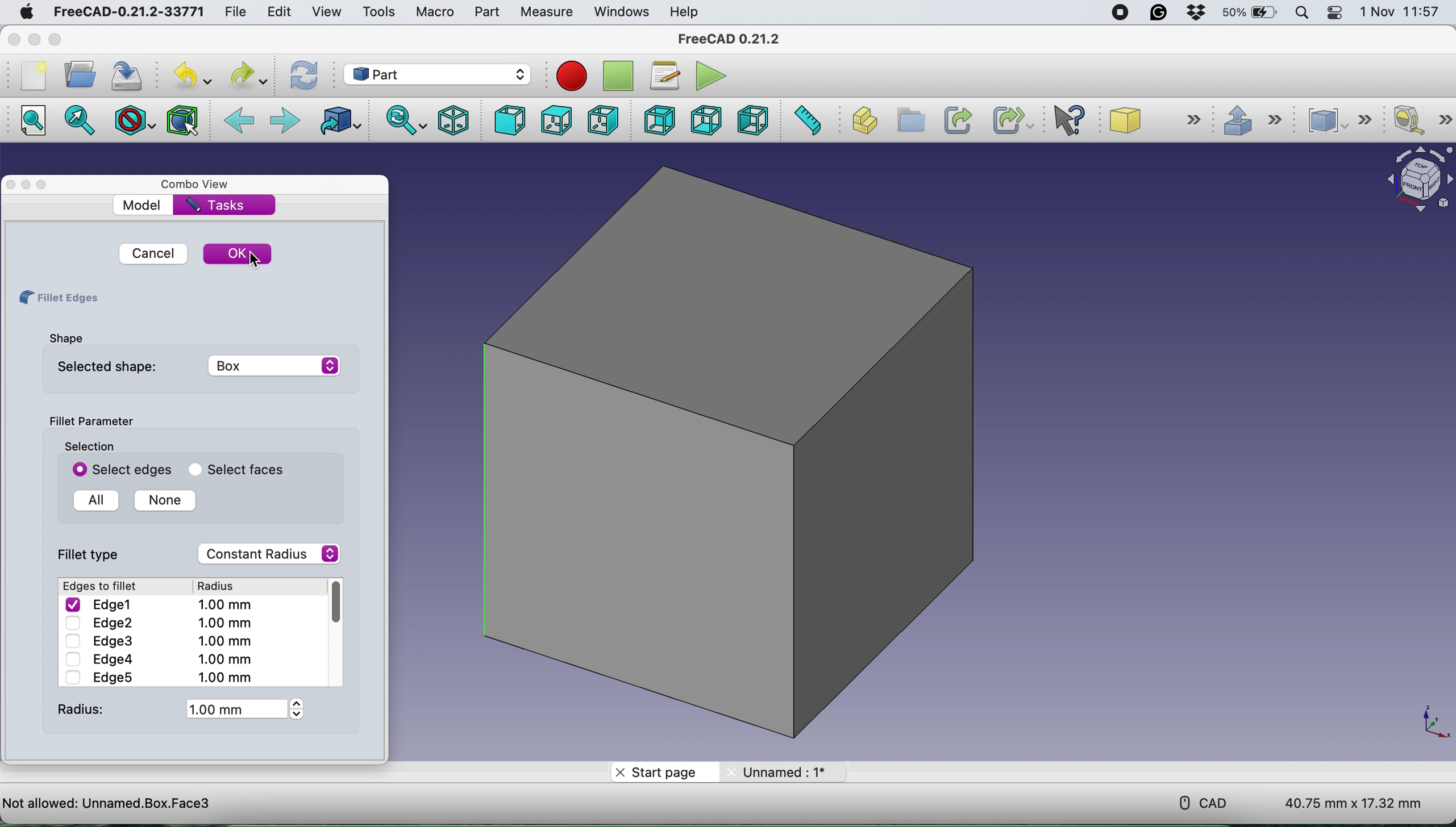 Image resolution: width=1456 pixels, height=827 pixels. I want to click on Cancel, so click(149, 253).